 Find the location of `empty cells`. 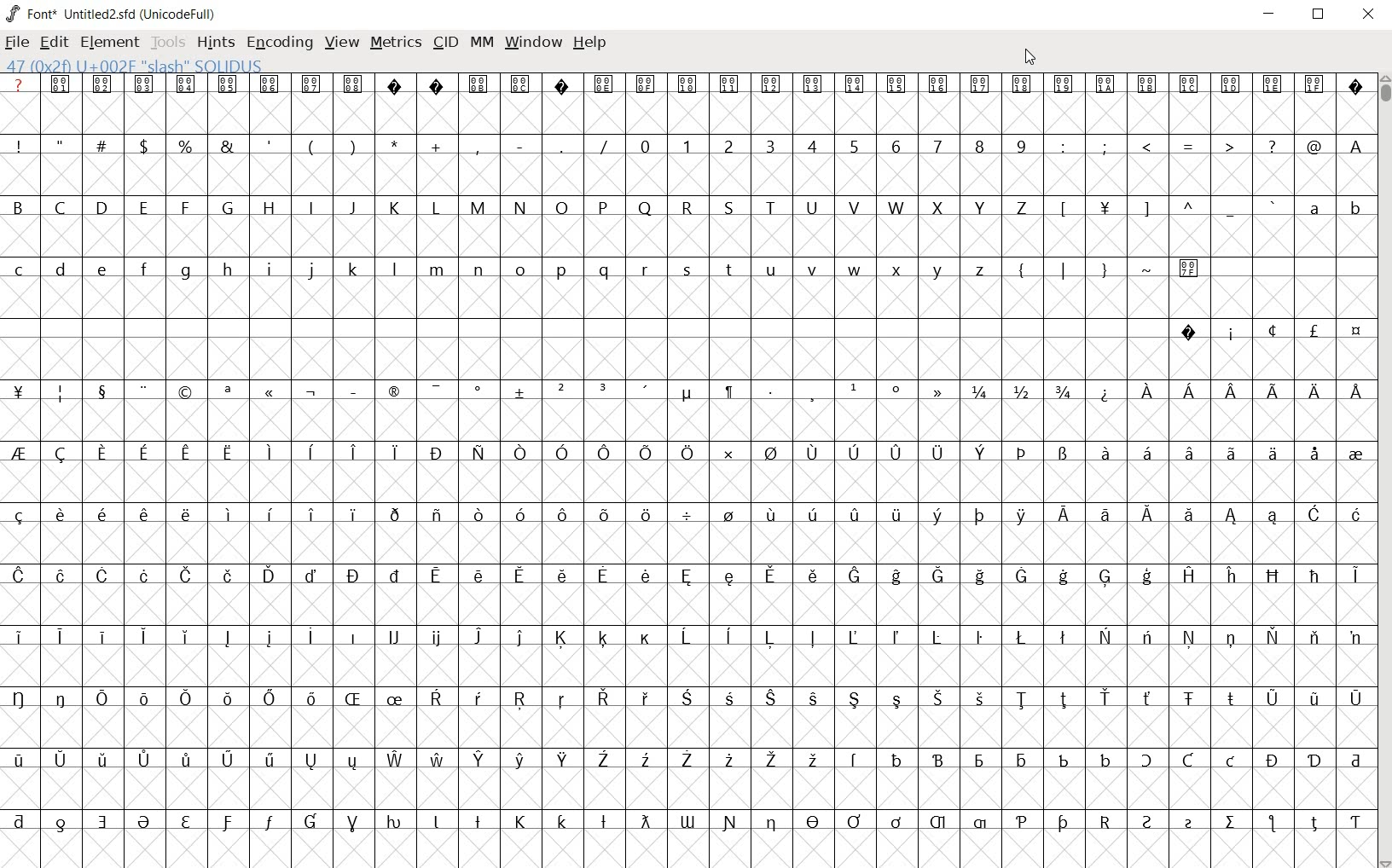

empty cells is located at coordinates (691, 542).